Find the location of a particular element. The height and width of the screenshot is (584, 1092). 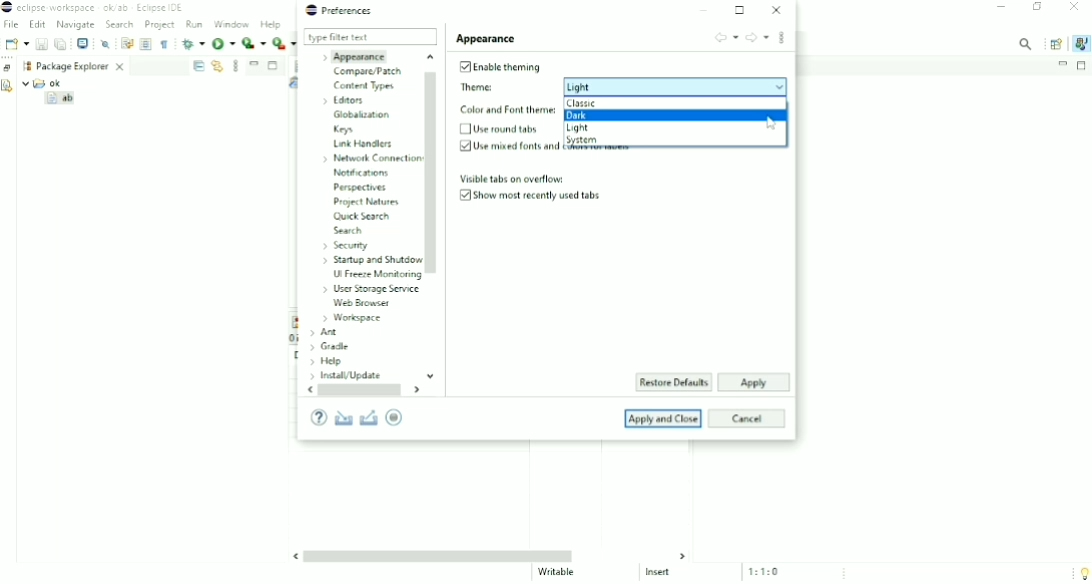

type filter text is located at coordinates (370, 37).